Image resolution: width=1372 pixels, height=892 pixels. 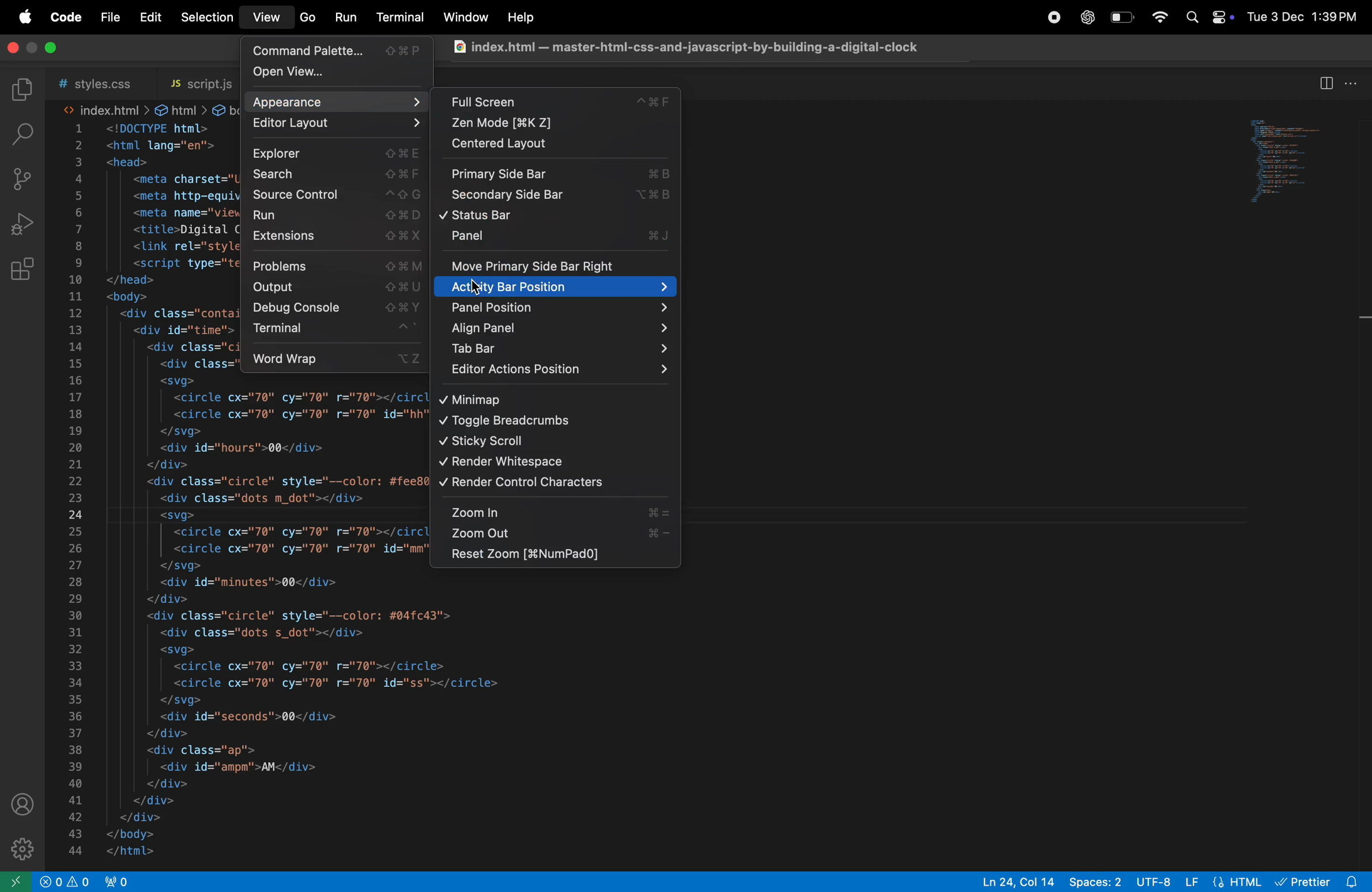 I want to click on selection, so click(x=203, y=17).